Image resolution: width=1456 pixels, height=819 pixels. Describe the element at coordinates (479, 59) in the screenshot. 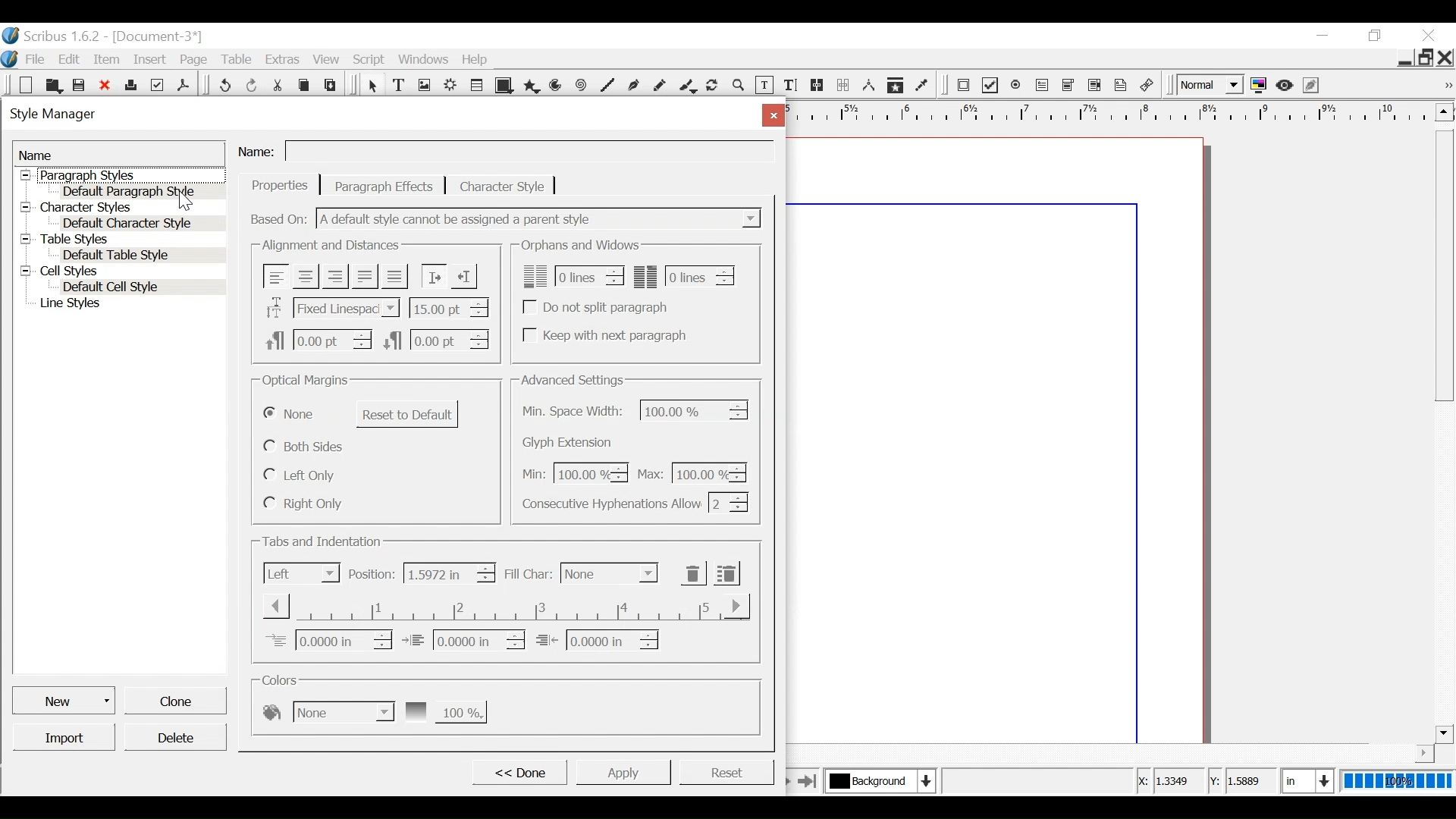

I see `Help` at that location.